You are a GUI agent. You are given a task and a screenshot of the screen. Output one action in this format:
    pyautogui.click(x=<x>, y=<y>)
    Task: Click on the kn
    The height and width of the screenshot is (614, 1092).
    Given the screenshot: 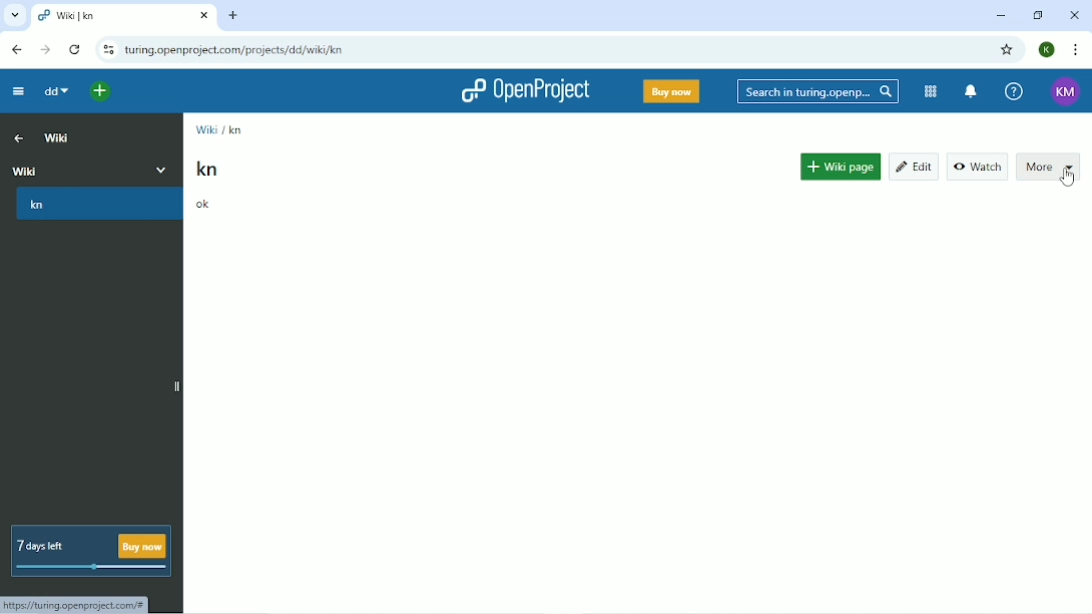 What is the action you would take?
    pyautogui.click(x=53, y=207)
    